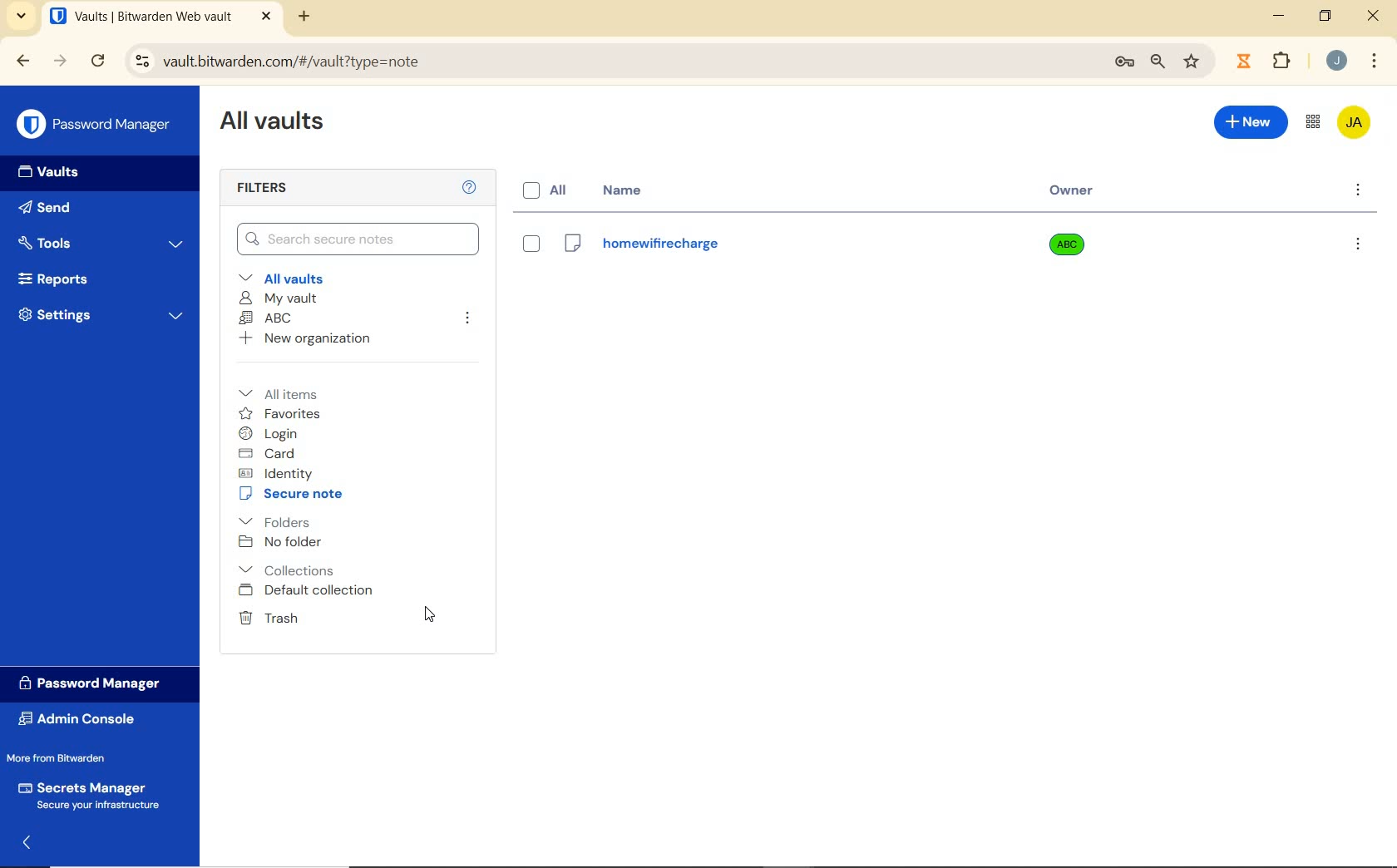  I want to click on More from Bitwarden, so click(67, 757).